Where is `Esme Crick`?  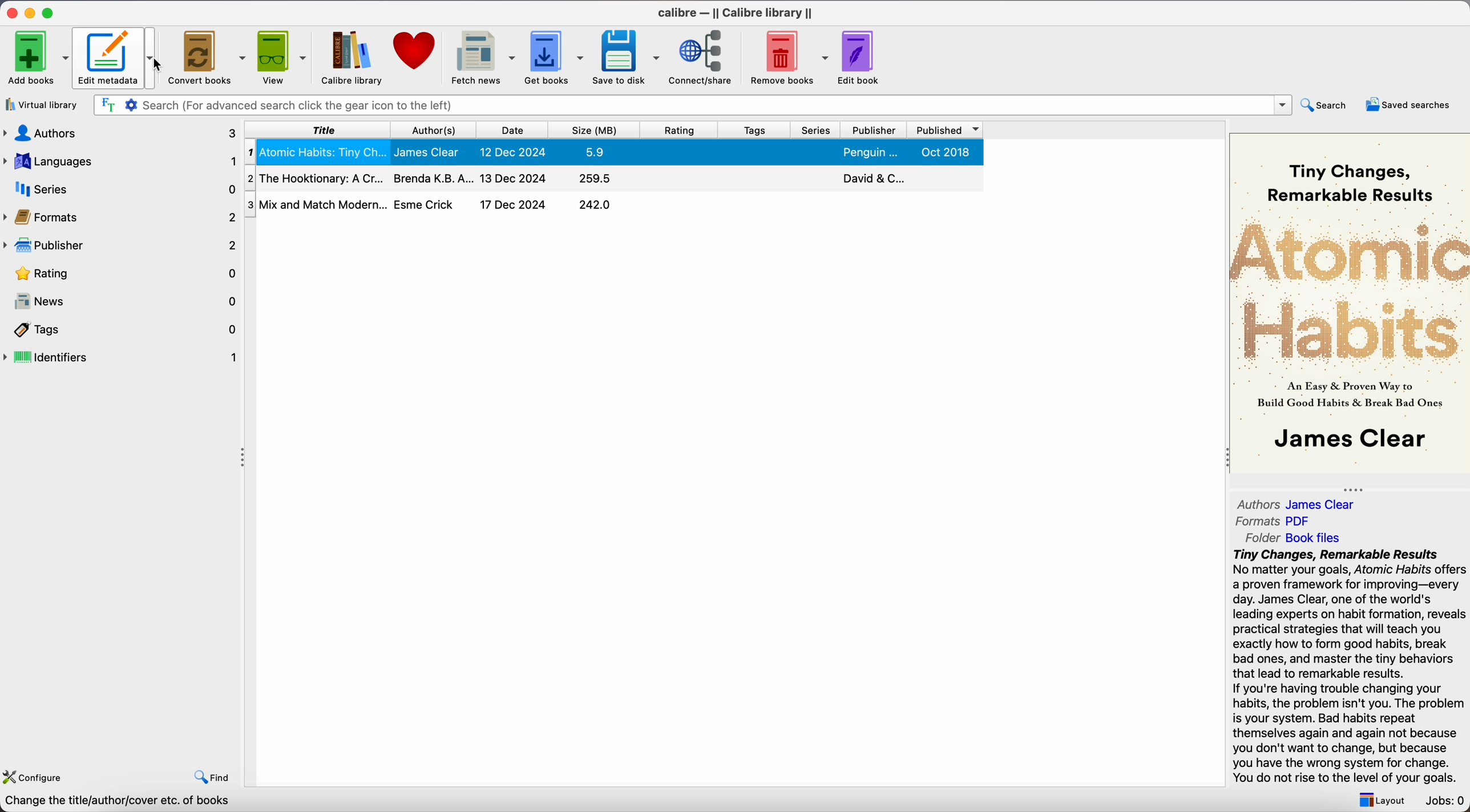
Esme Crick is located at coordinates (426, 204).